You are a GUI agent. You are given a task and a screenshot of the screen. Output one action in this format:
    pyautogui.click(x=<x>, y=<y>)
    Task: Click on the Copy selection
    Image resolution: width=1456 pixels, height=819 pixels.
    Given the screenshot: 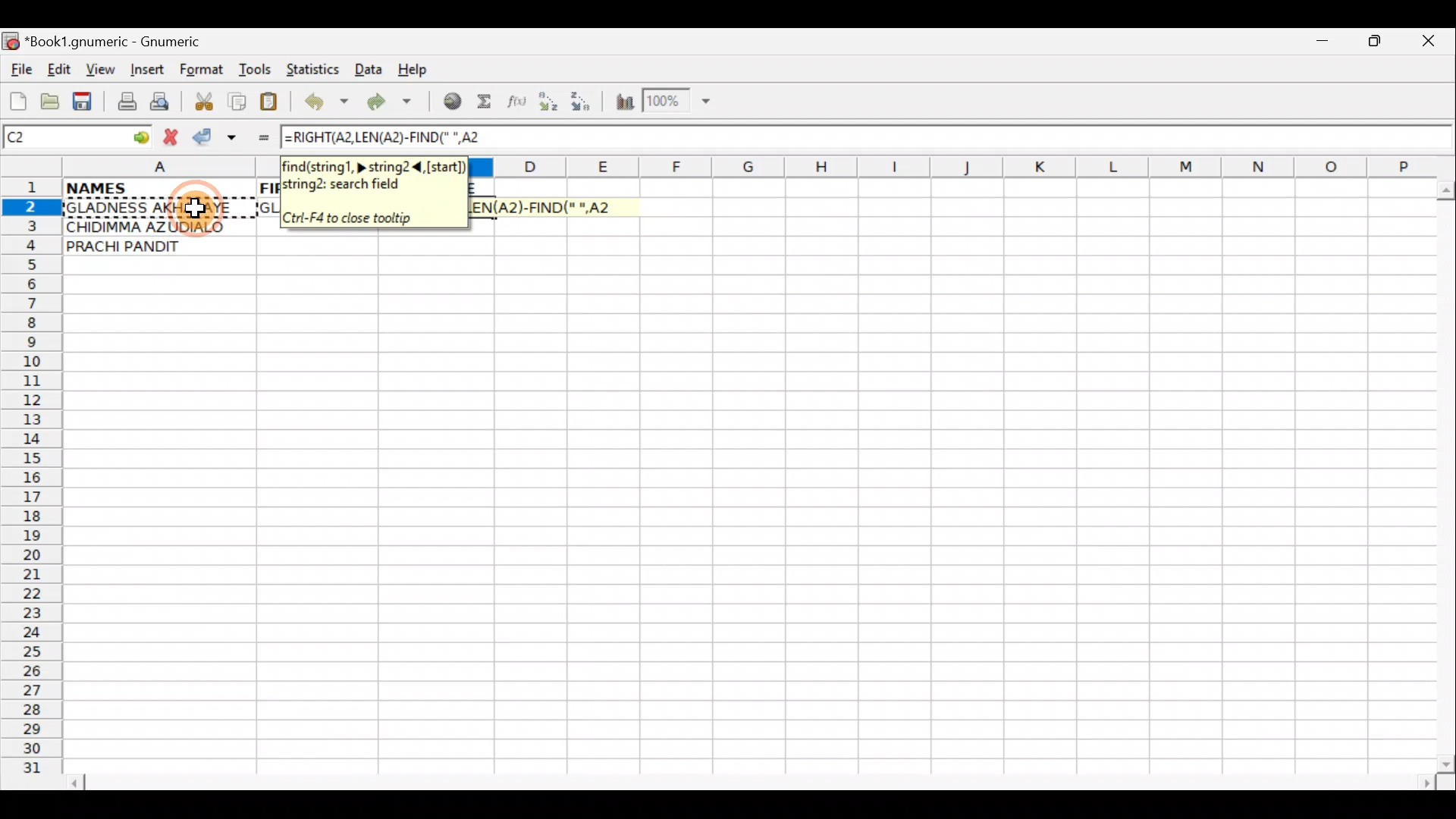 What is the action you would take?
    pyautogui.click(x=238, y=101)
    